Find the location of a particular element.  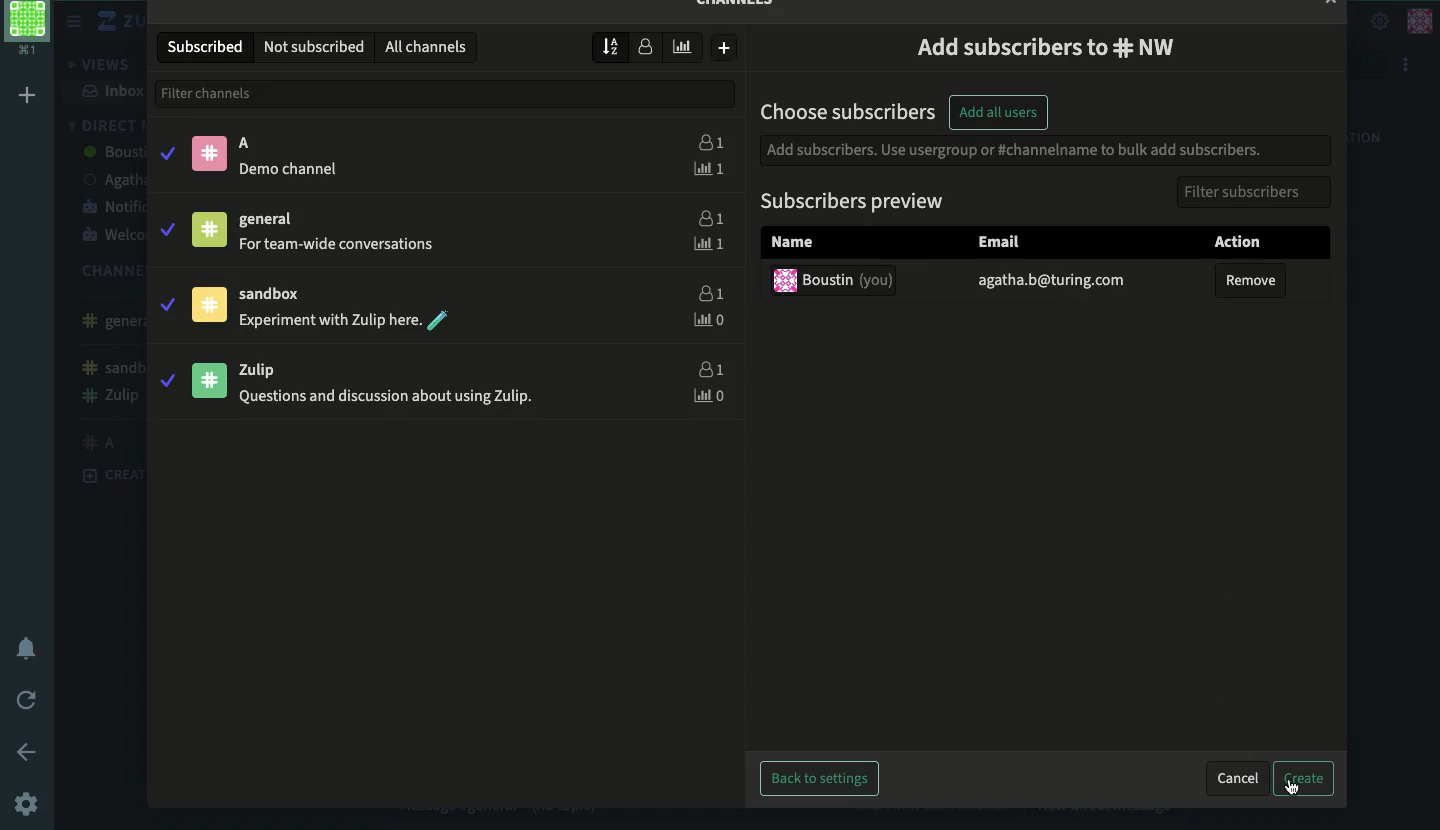

action is located at coordinates (1246, 240).